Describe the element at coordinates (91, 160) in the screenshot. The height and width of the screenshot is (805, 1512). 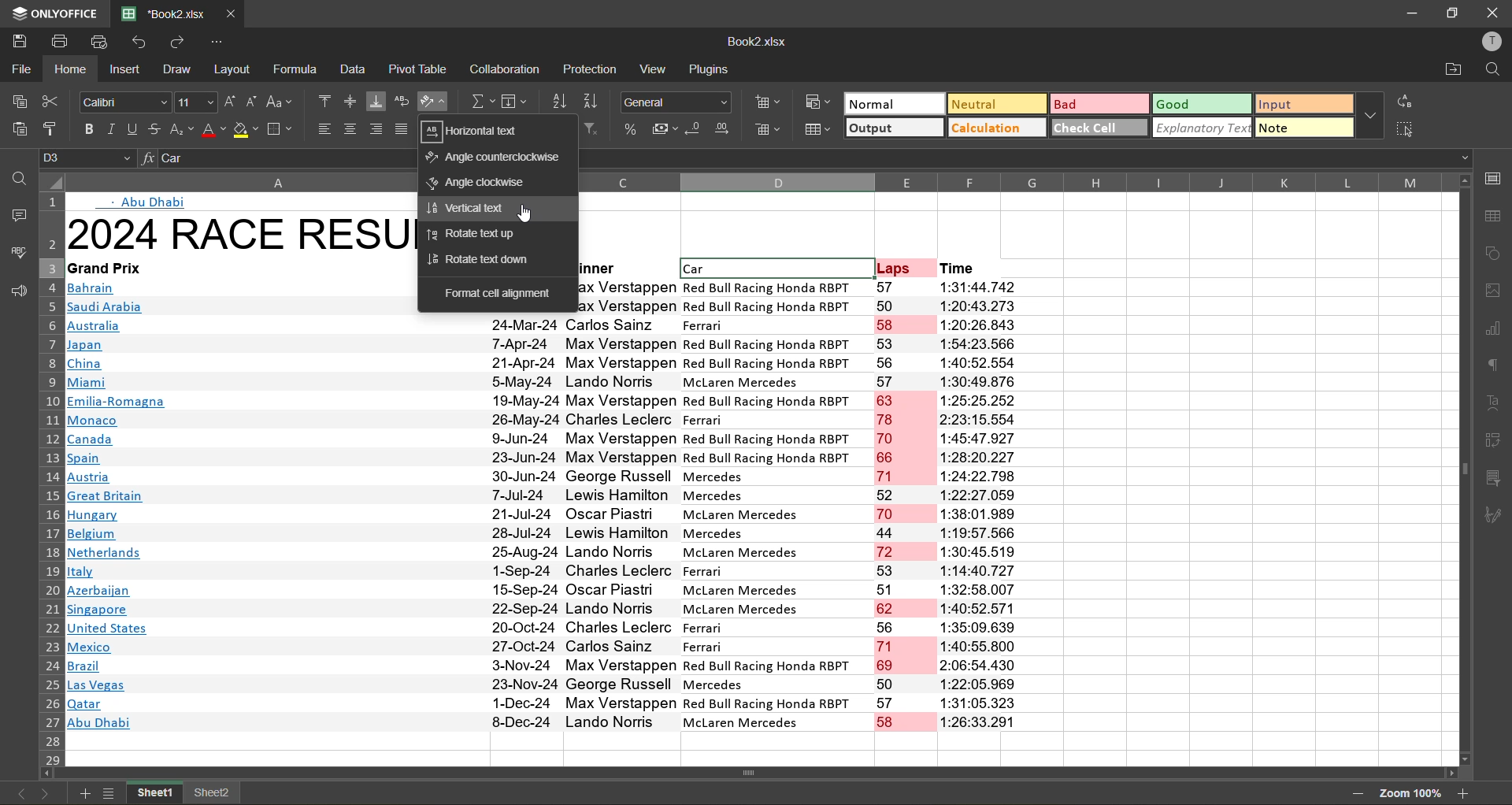
I see `cell address` at that location.